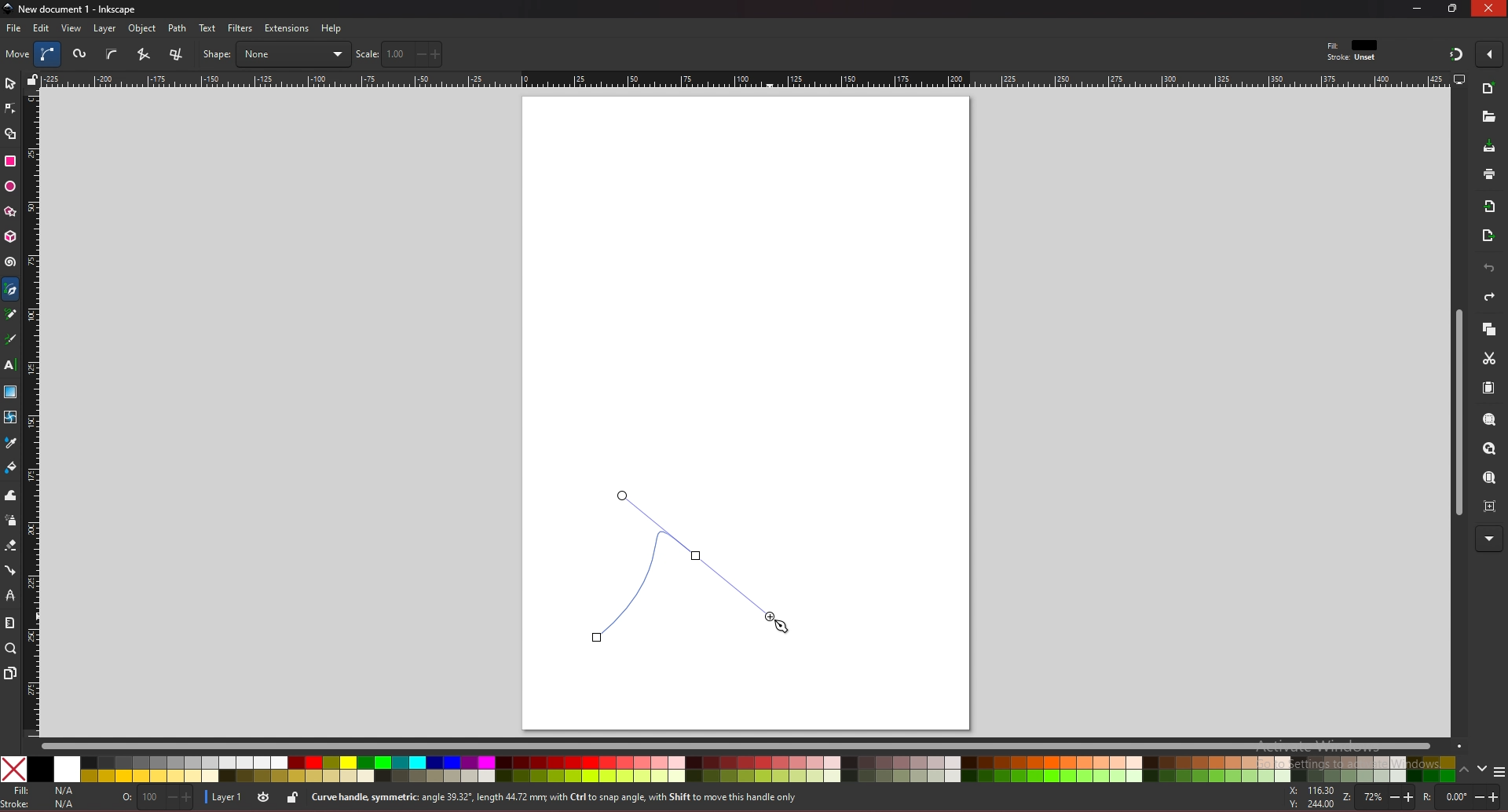 Image resolution: width=1508 pixels, height=812 pixels. I want to click on paint bucket, so click(11, 466).